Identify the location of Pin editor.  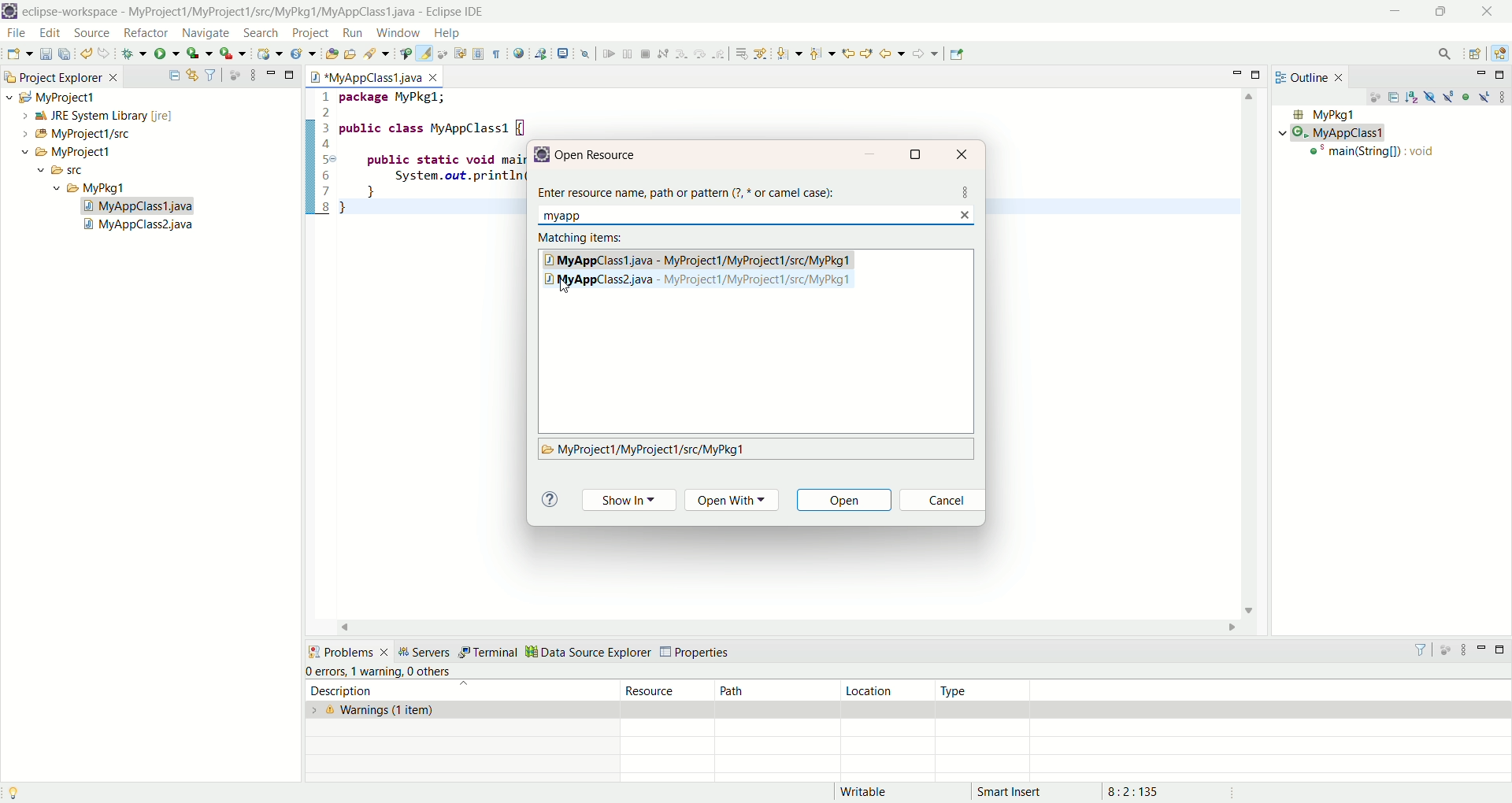
(958, 54).